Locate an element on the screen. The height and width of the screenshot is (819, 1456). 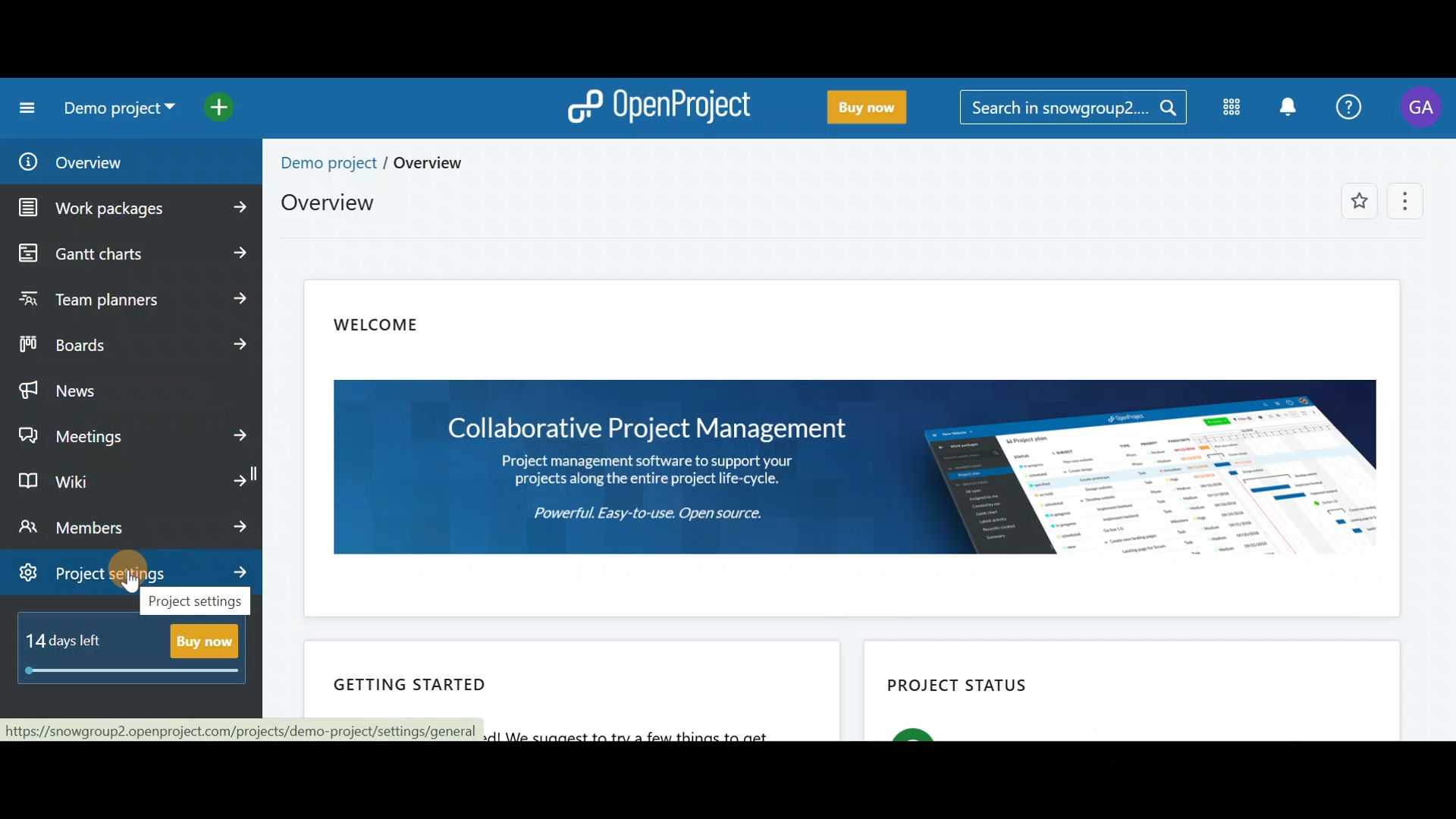
cursor is located at coordinates (130, 581).